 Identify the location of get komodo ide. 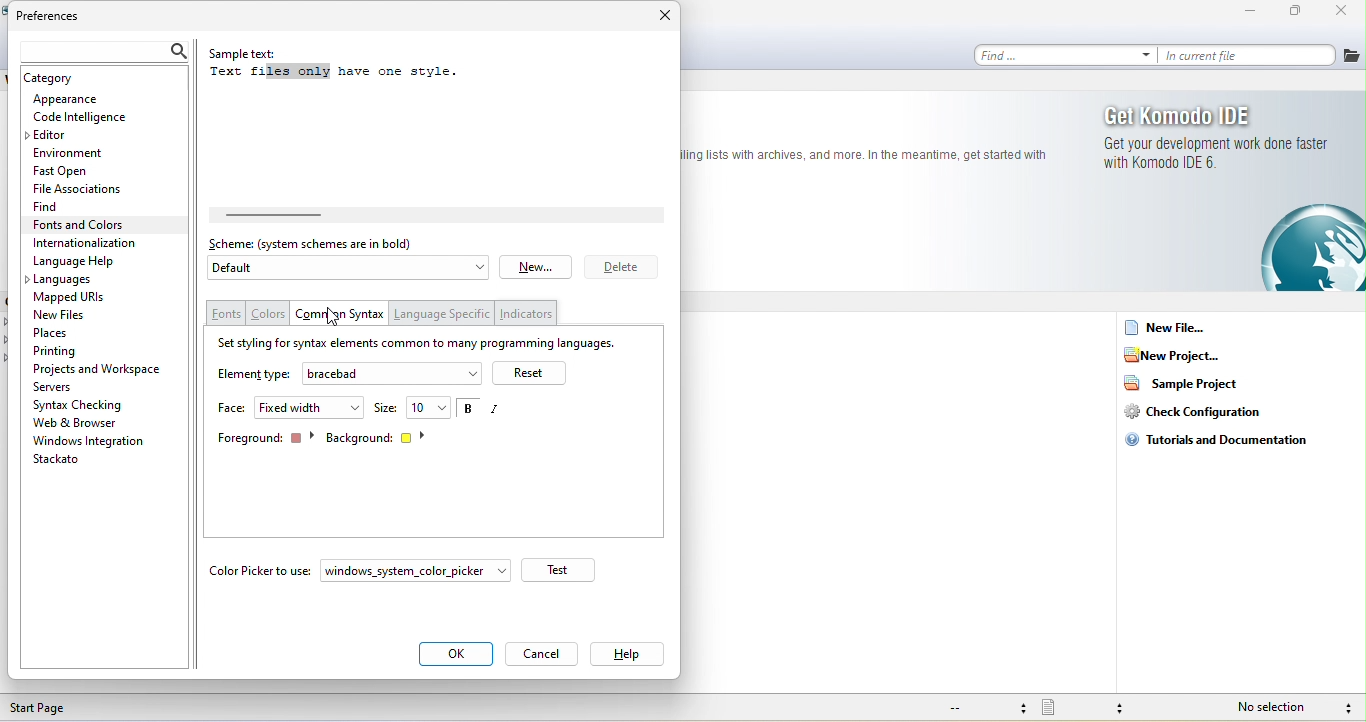
(1229, 195).